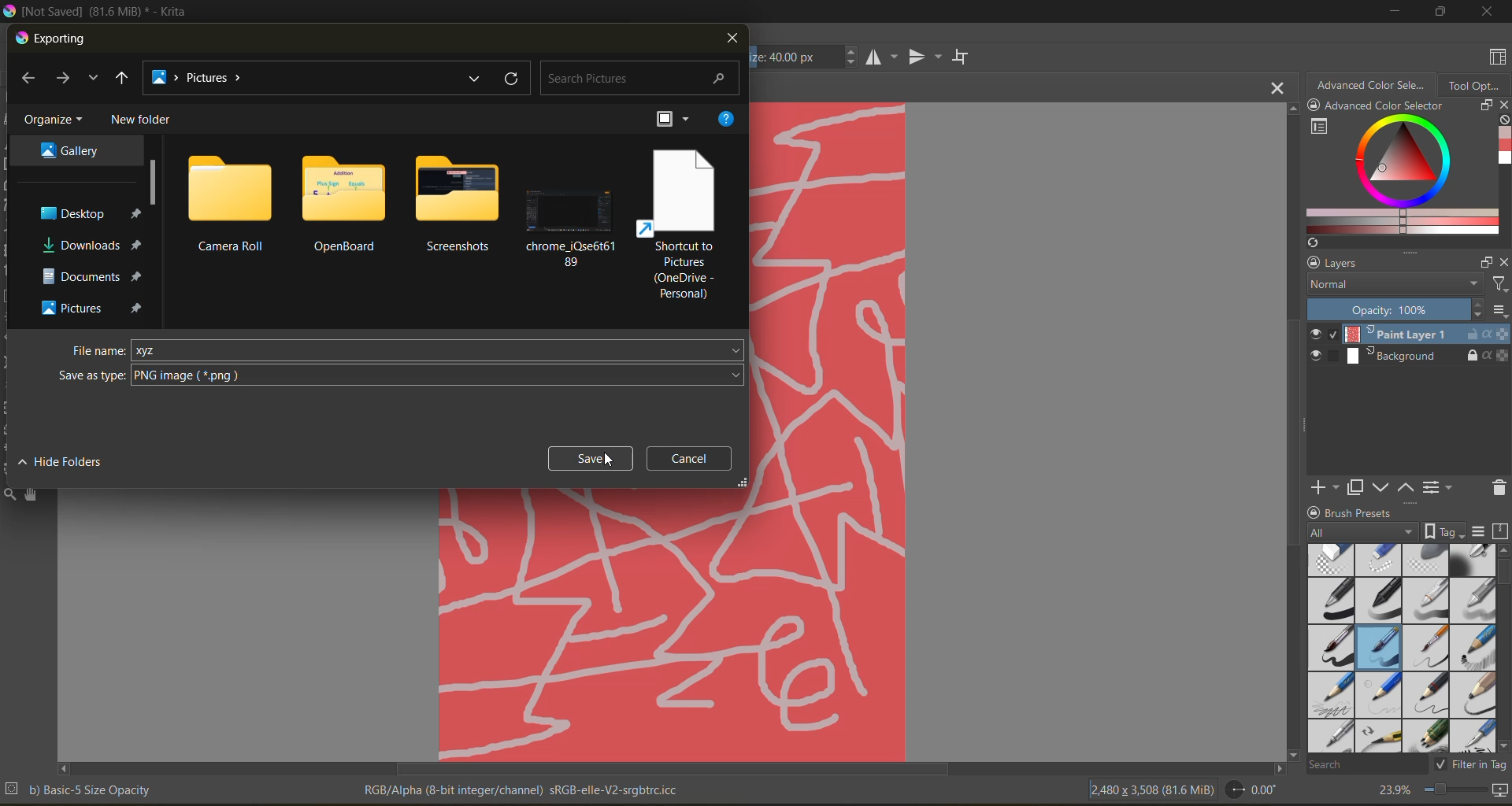 The width and height of the screenshot is (1512, 806). I want to click on folders, so click(230, 202).